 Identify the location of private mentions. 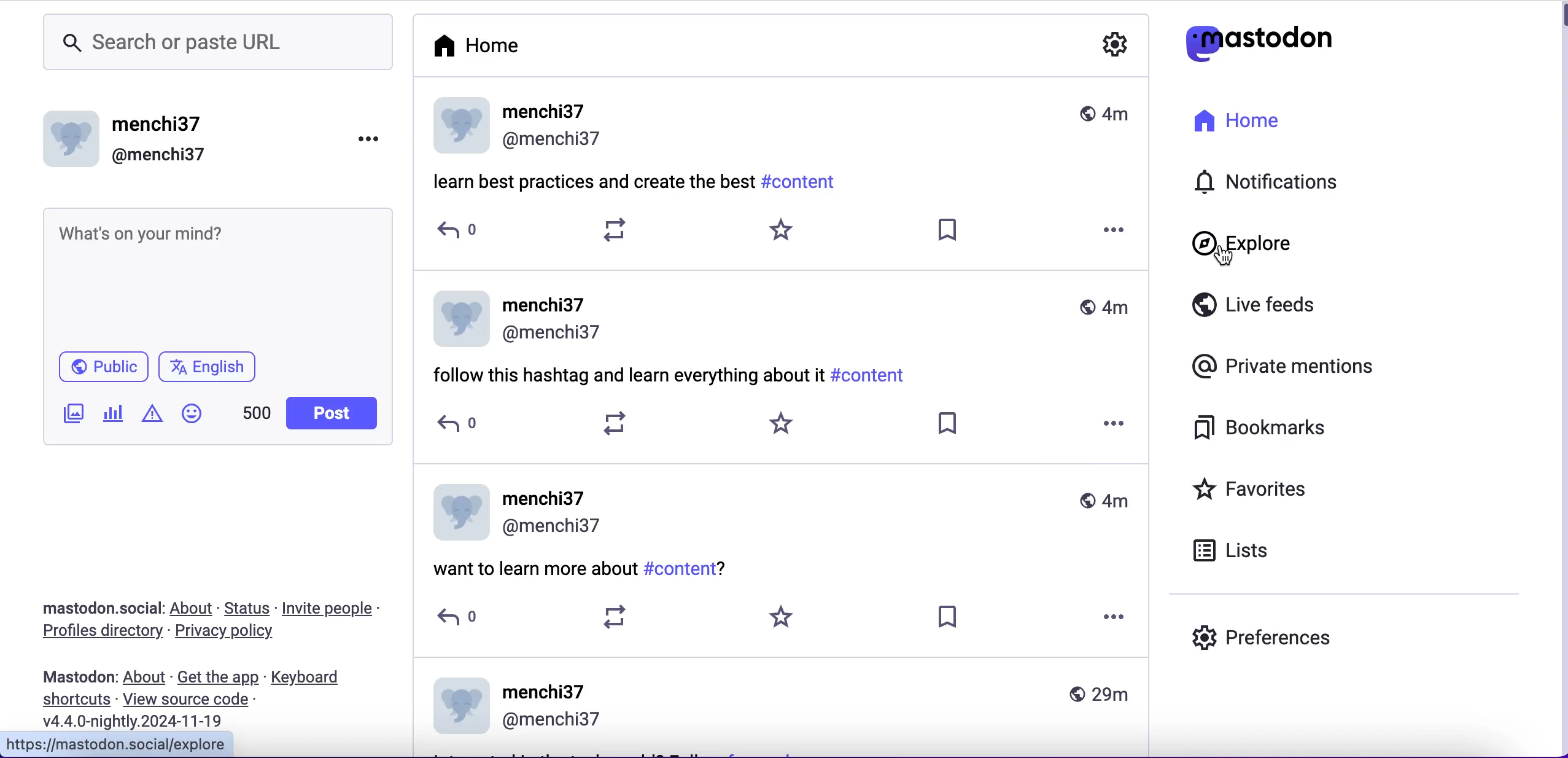
(1279, 369).